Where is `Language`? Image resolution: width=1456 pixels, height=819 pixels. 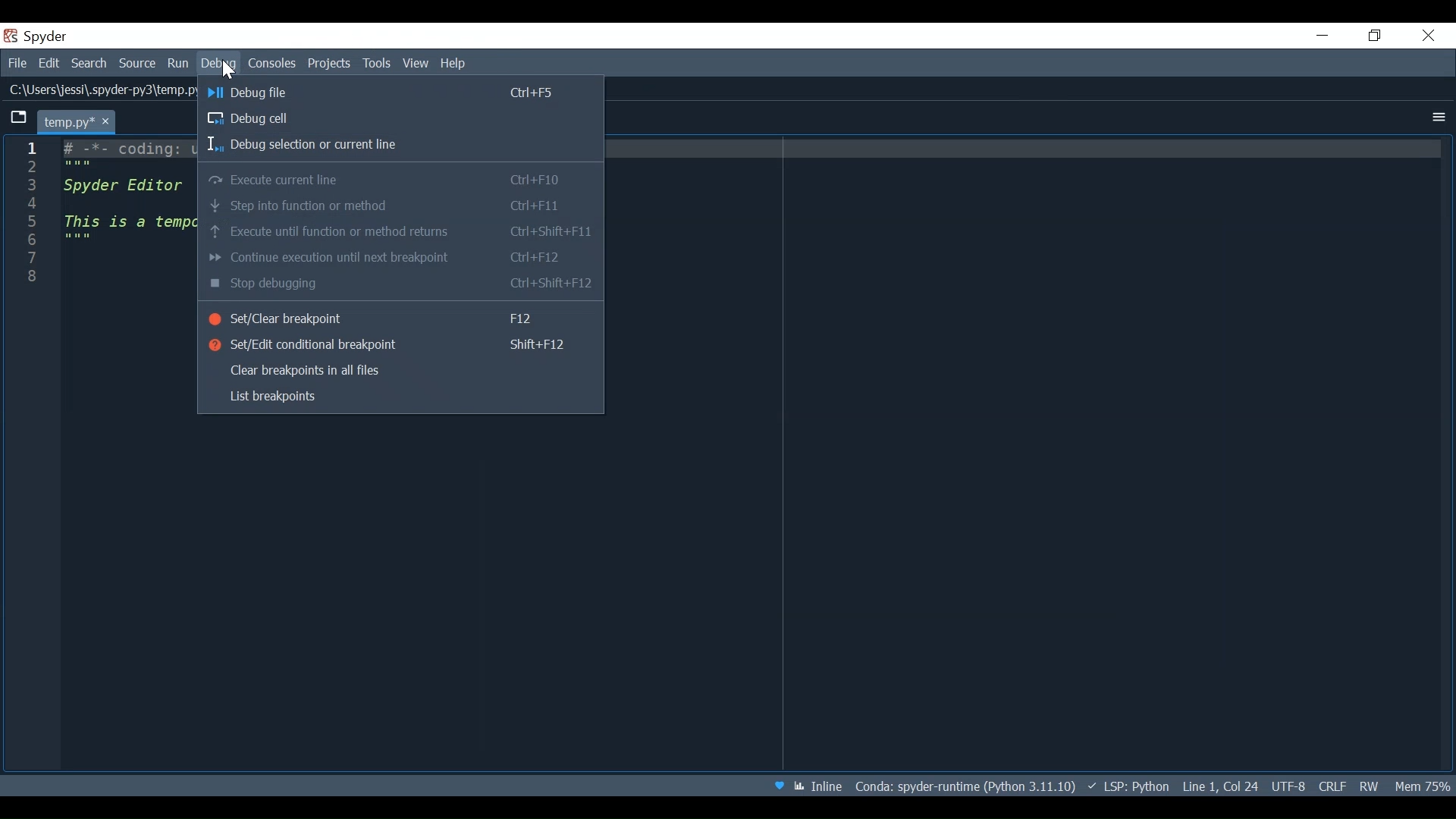
Language is located at coordinates (1127, 786).